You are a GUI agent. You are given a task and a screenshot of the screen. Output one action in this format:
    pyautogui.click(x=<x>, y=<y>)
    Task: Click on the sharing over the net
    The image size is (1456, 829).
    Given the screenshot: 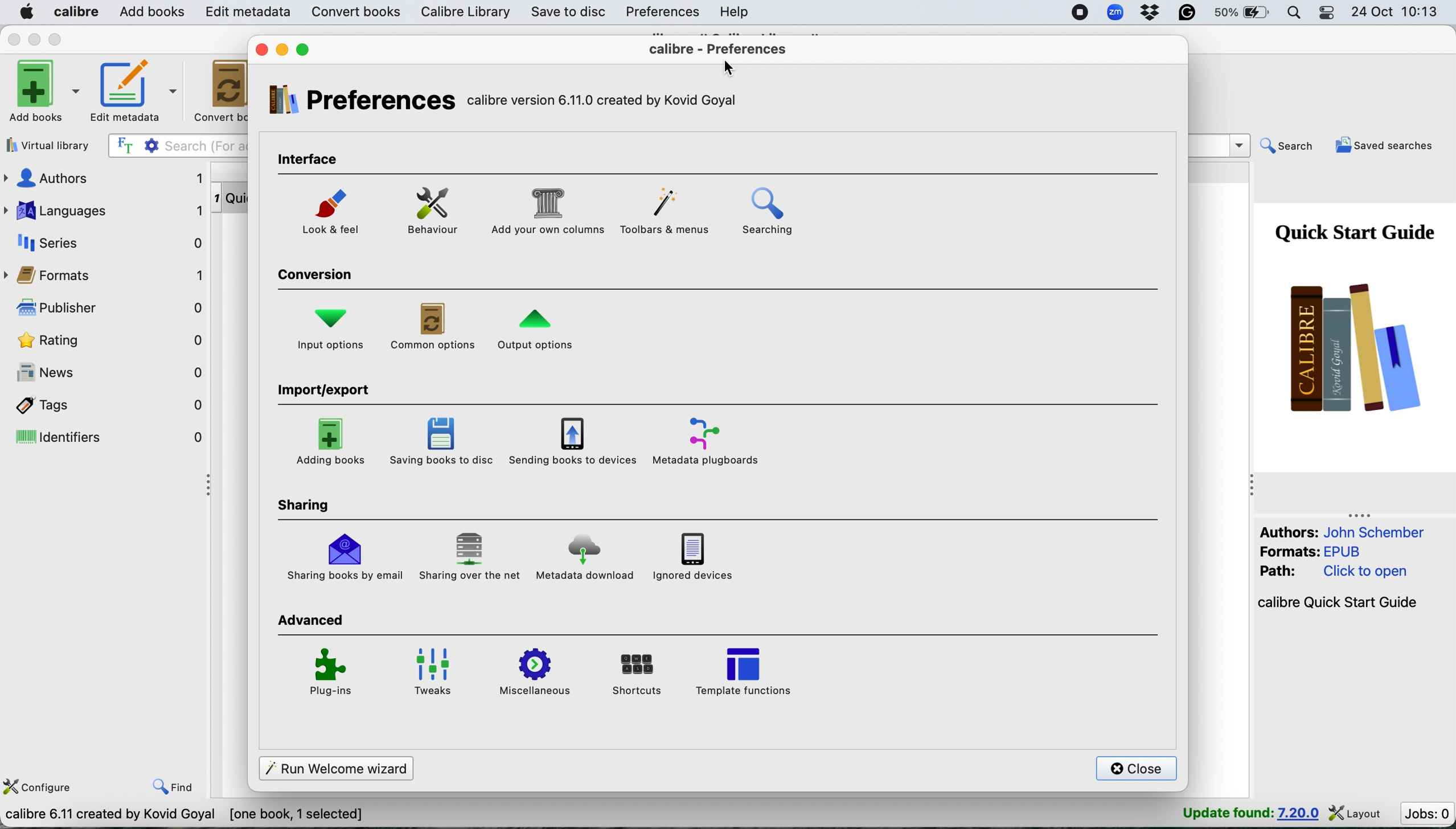 What is the action you would take?
    pyautogui.click(x=470, y=559)
    